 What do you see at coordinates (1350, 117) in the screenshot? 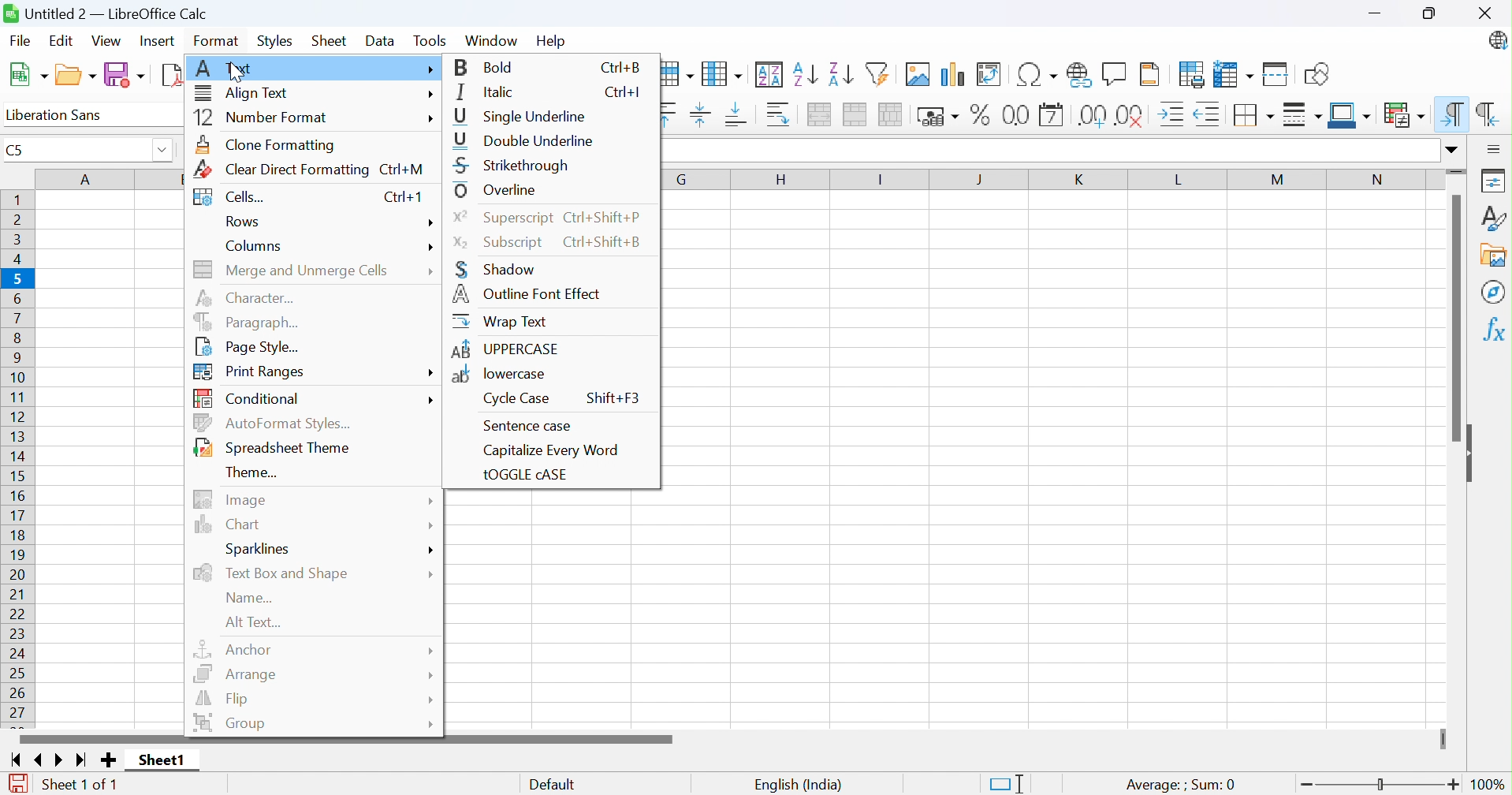
I see `Border color` at bounding box center [1350, 117].